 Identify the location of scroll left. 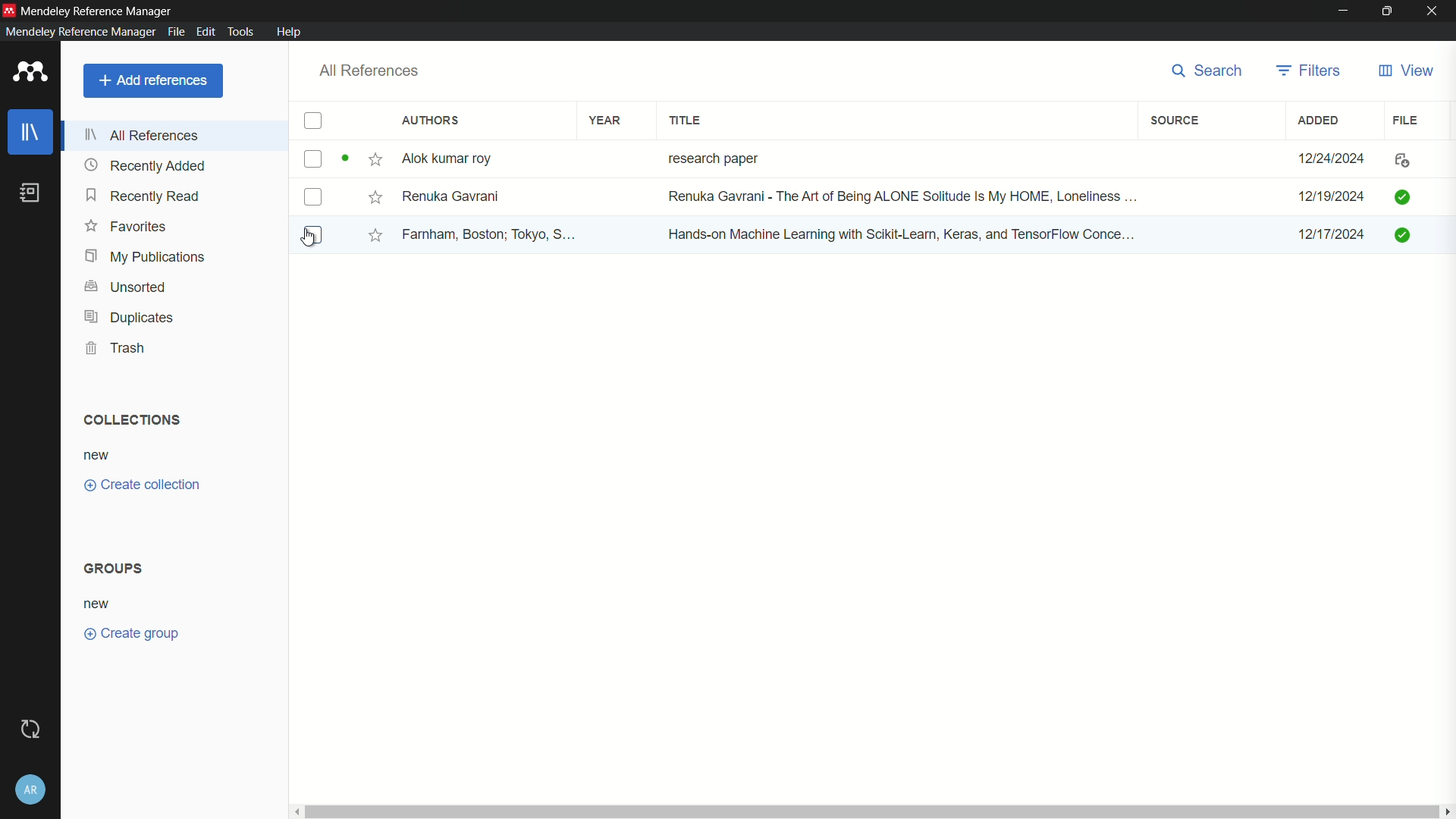
(298, 811).